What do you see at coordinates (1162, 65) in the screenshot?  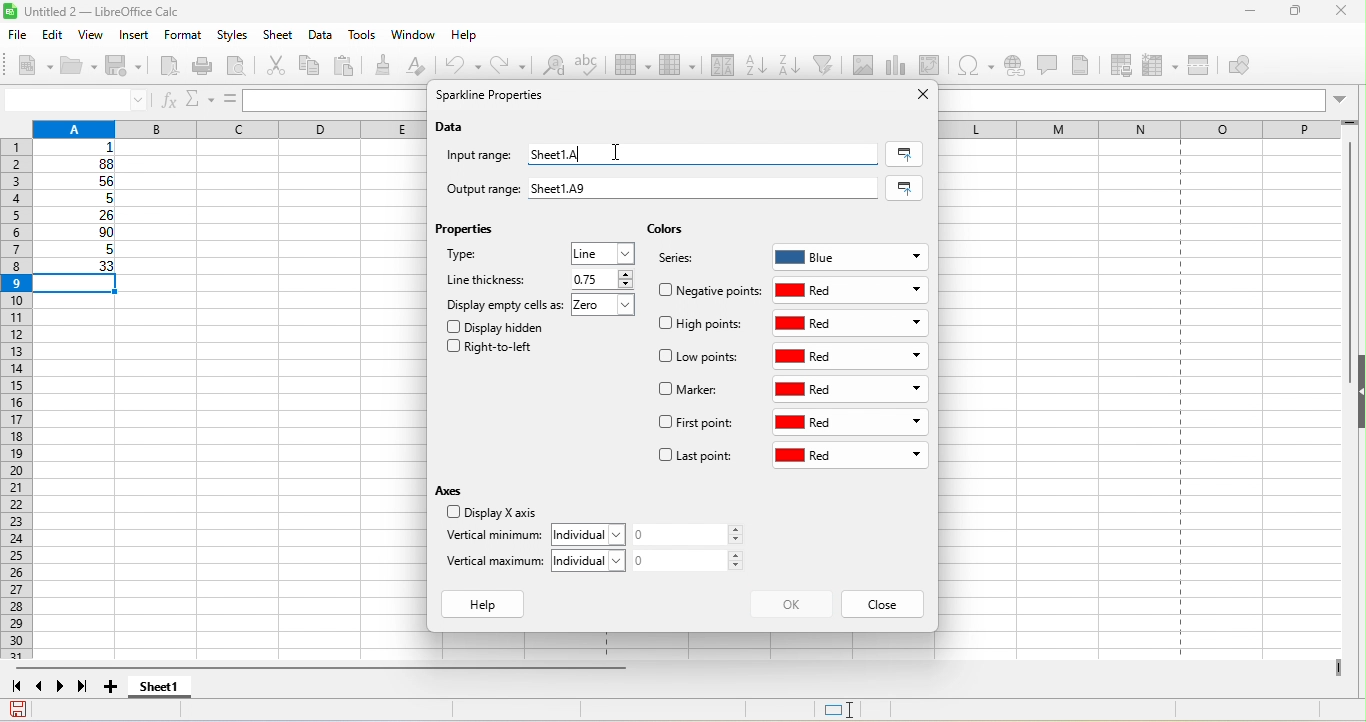 I see `freeze rows and column` at bounding box center [1162, 65].